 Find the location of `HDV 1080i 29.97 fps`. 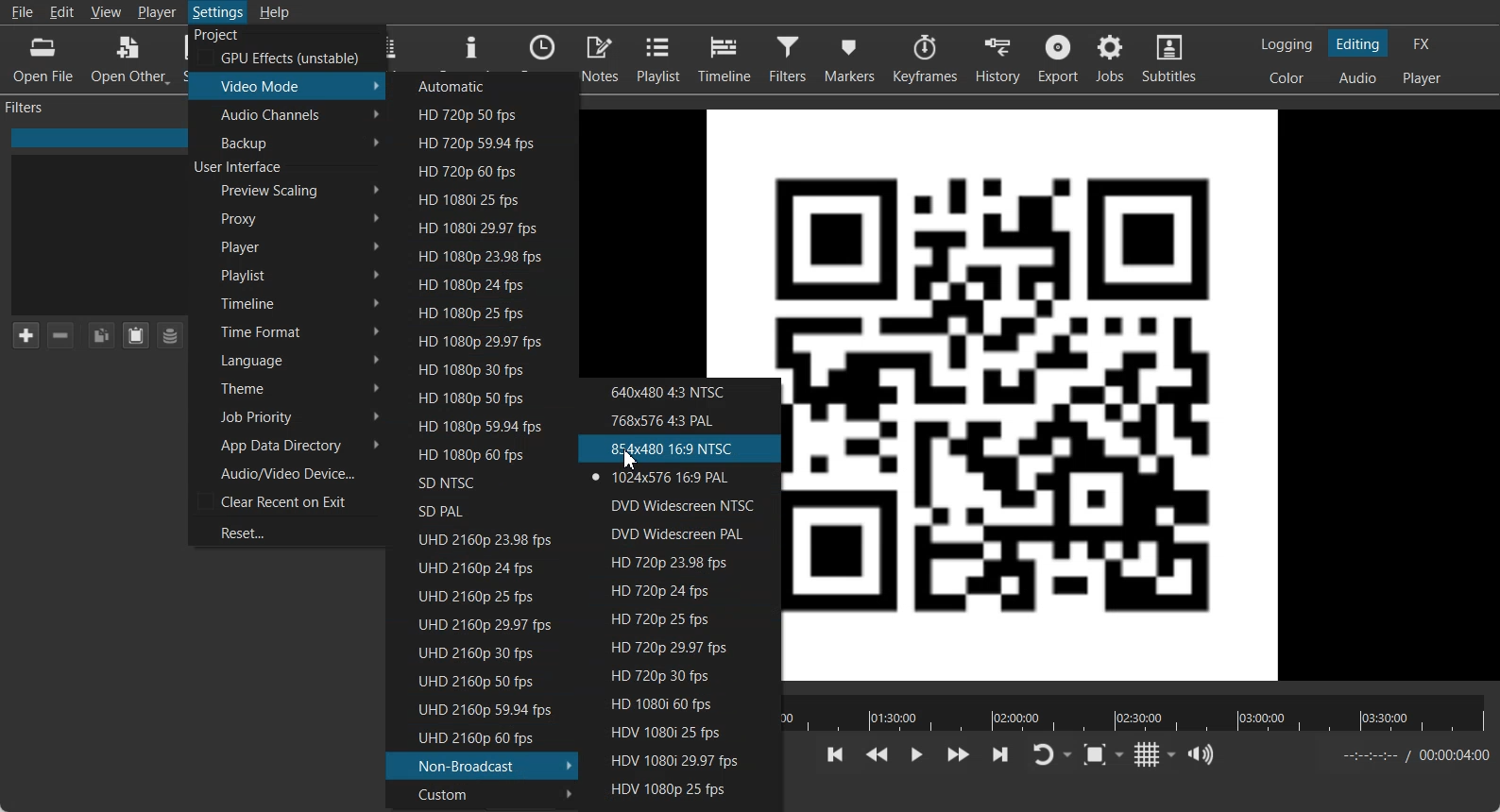

HDV 1080i 29.97 fps is located at coordinates (679, 759).